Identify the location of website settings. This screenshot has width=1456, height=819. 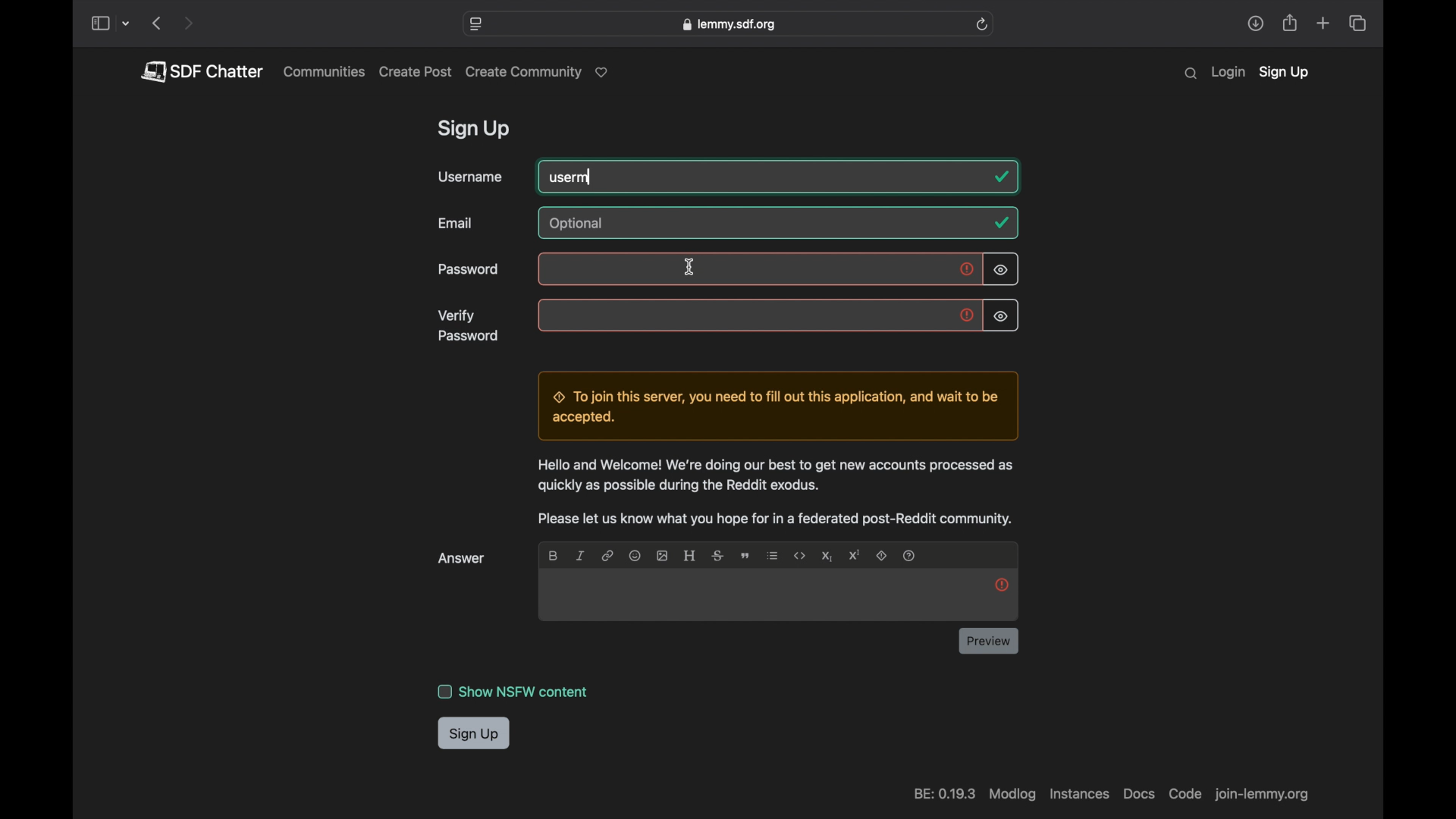
(477, 24).